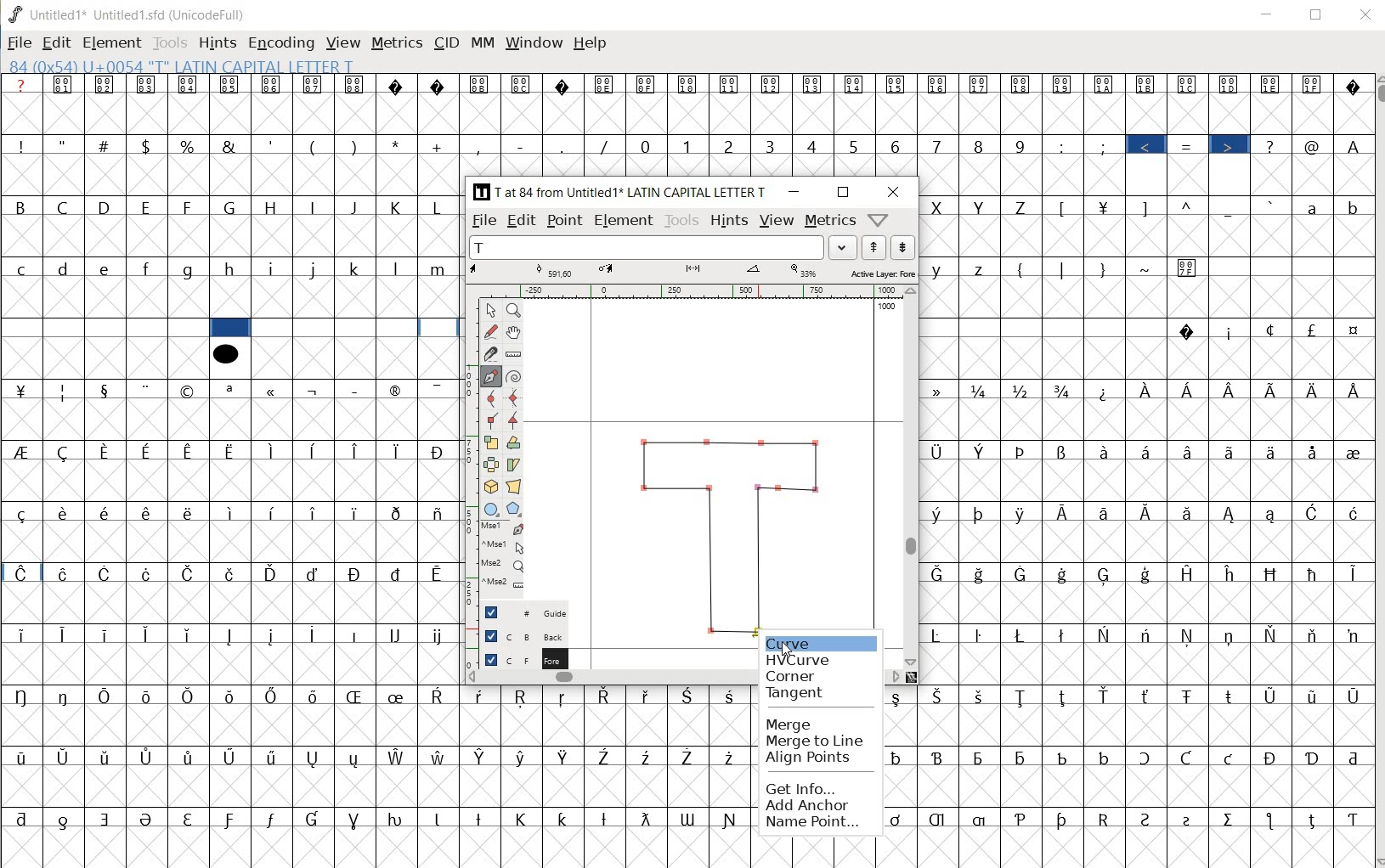 The image size is (1385, 868). What do you see at coordinates (22, 819) in the screenshot?
I see `Symbol` at bounding box center [22, 819].